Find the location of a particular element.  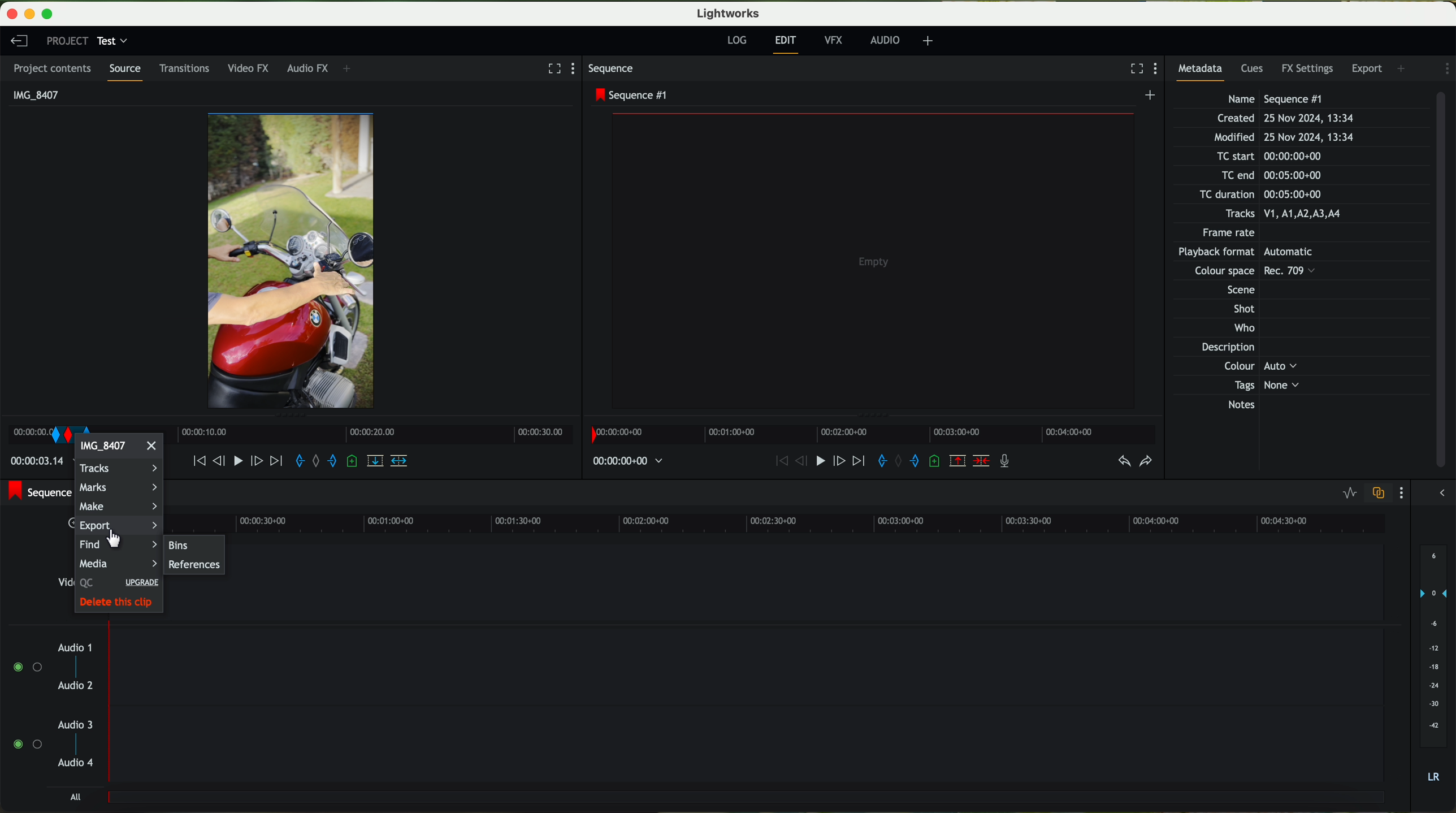

source is located at coordinates (128, 72).